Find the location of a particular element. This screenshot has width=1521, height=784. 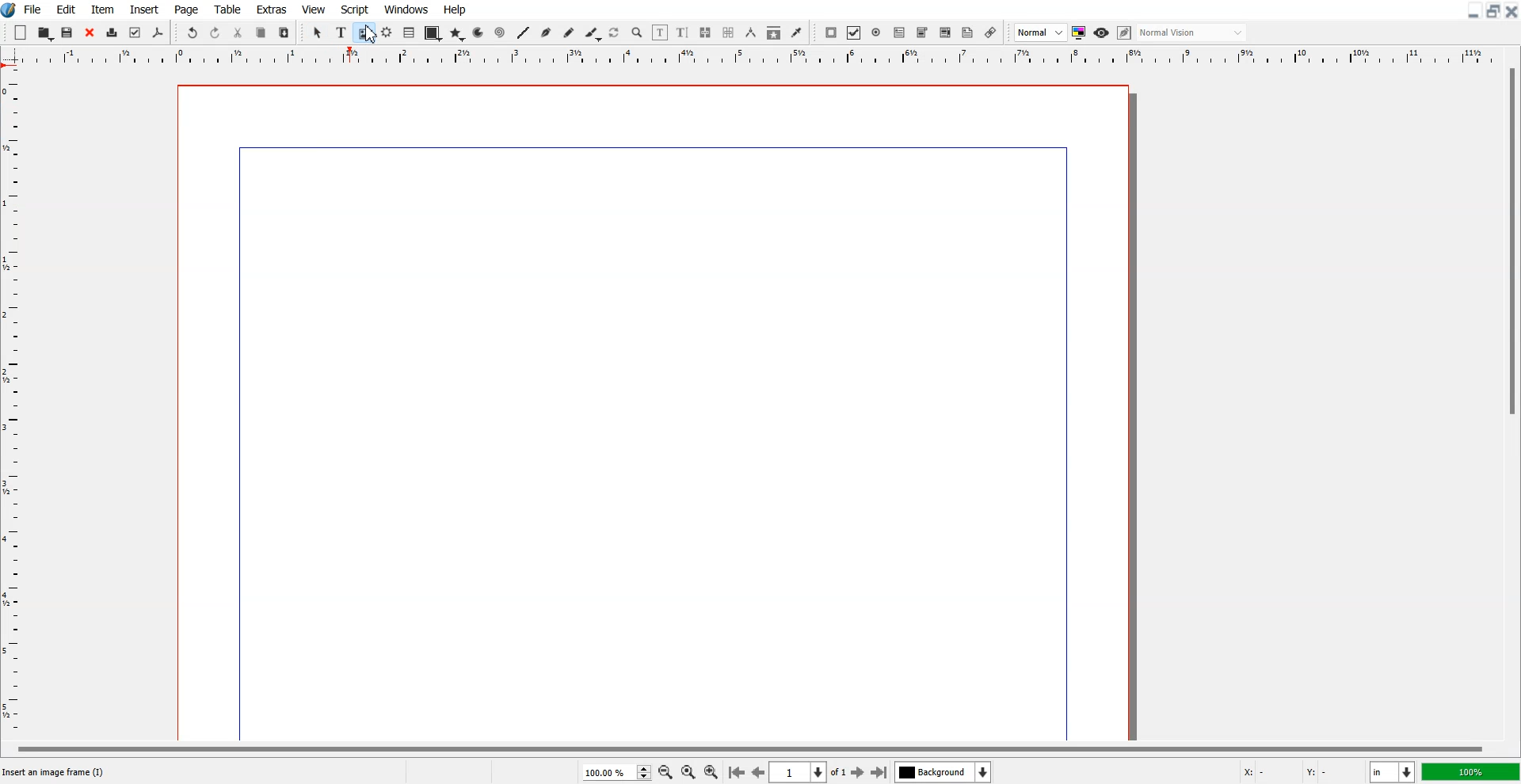

Polygon is located at coordinates (457, 35).